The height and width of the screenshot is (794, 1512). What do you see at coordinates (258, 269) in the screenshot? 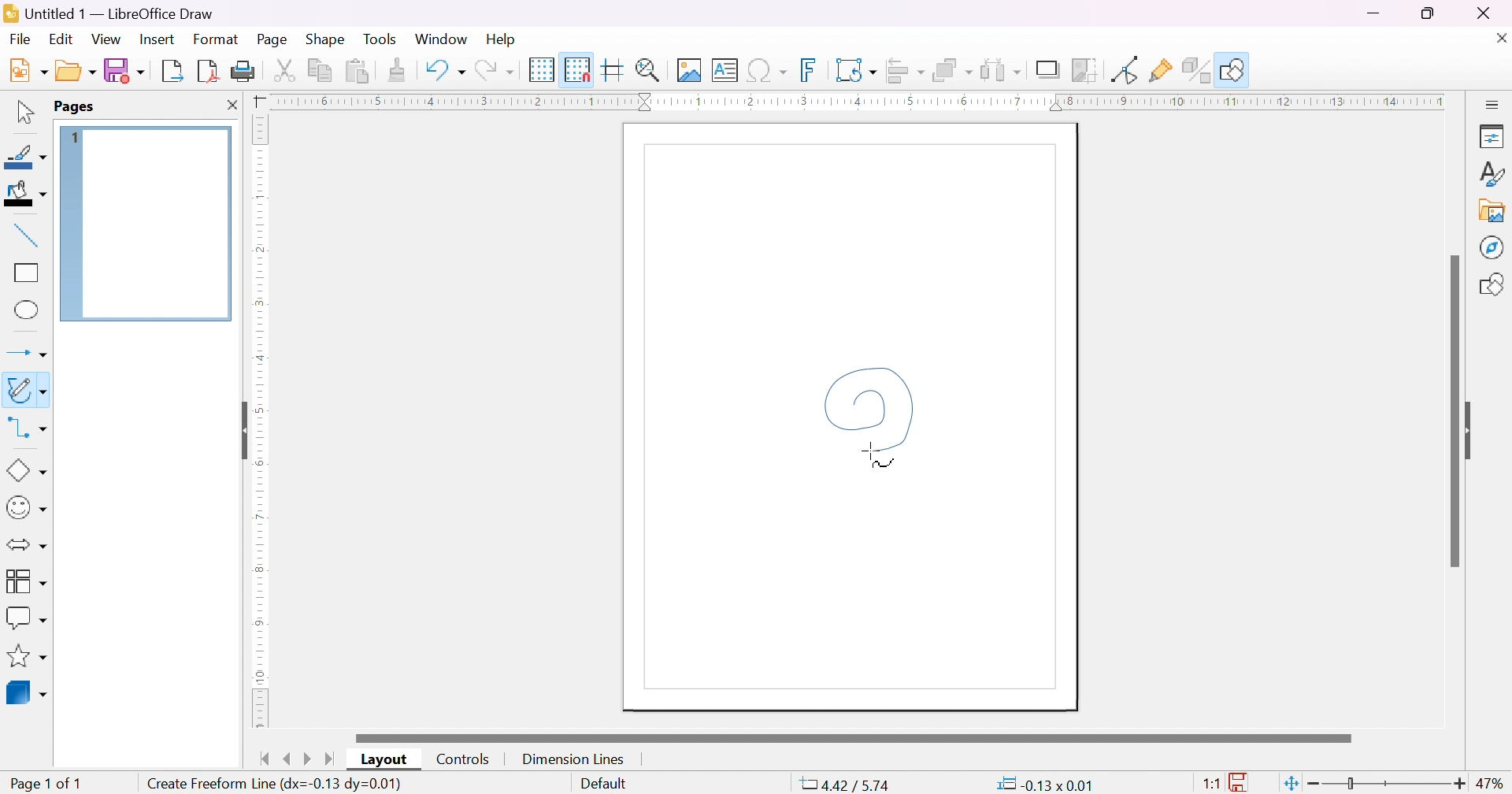
I see `ruler` at bounding box center [258, 269].